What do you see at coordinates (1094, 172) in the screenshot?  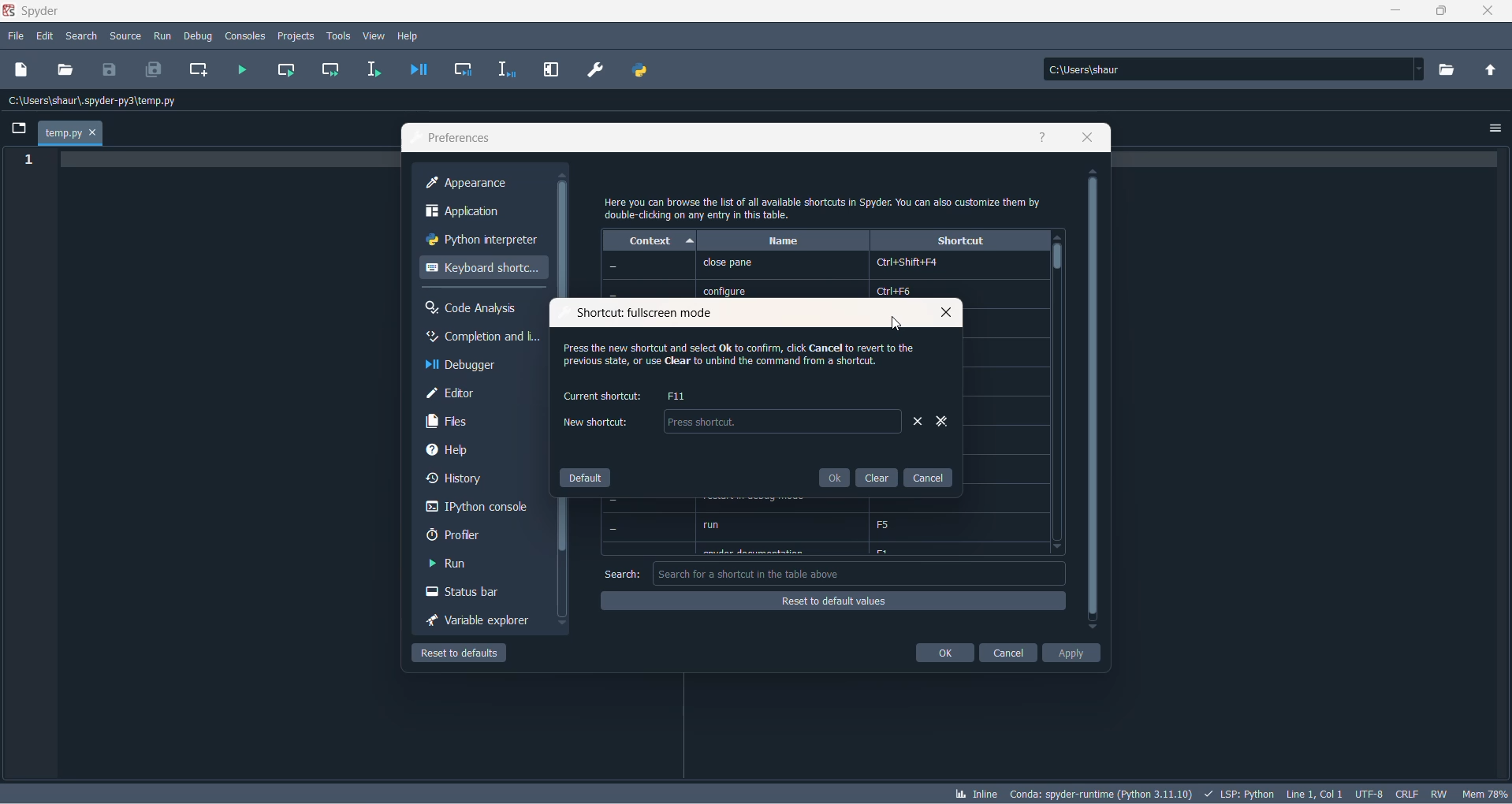 I see `move up` at bounding box center [1094, 172].